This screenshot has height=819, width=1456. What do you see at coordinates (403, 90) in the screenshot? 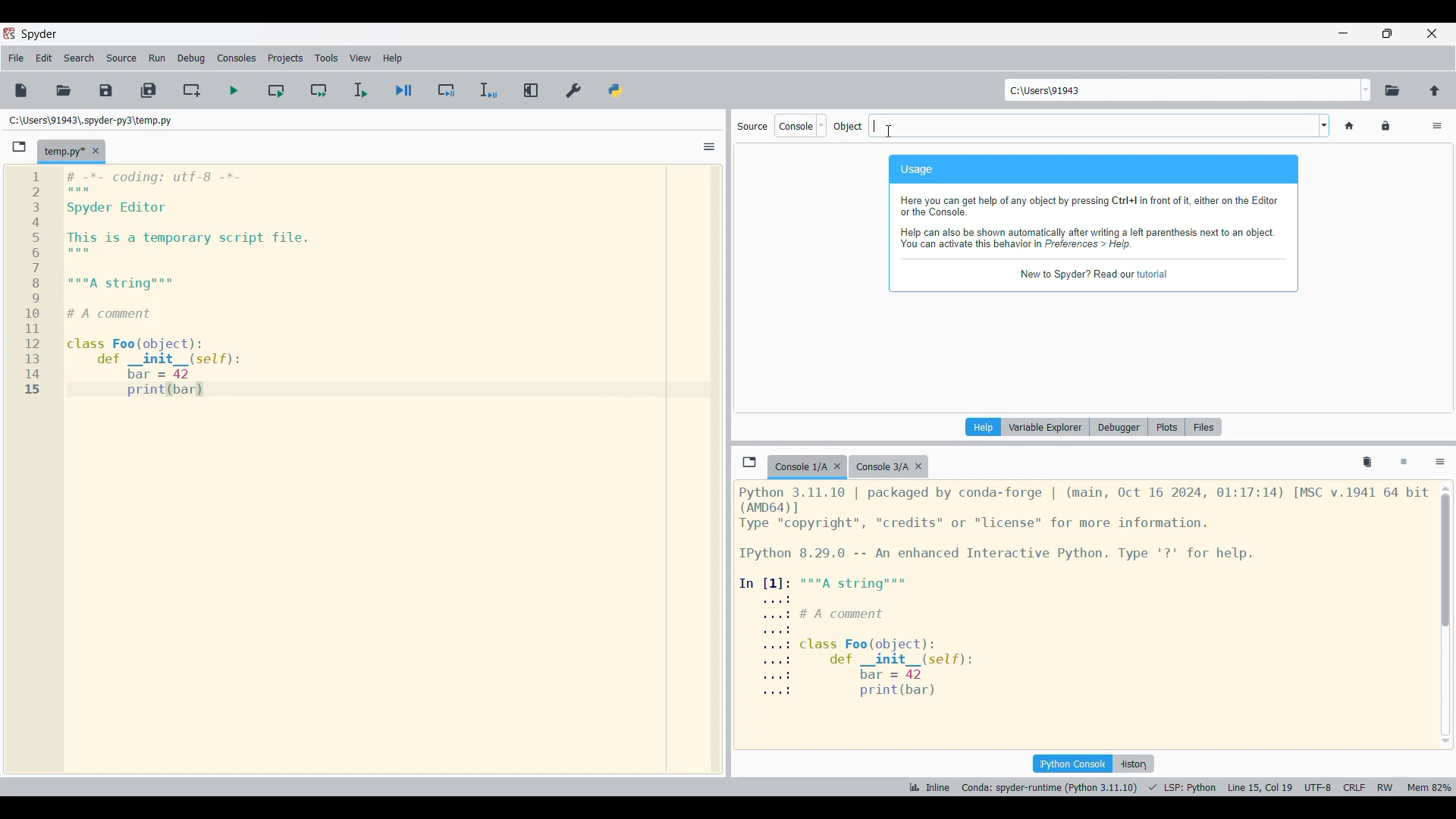
I see `Debug file` at bounding box center [403, 90].